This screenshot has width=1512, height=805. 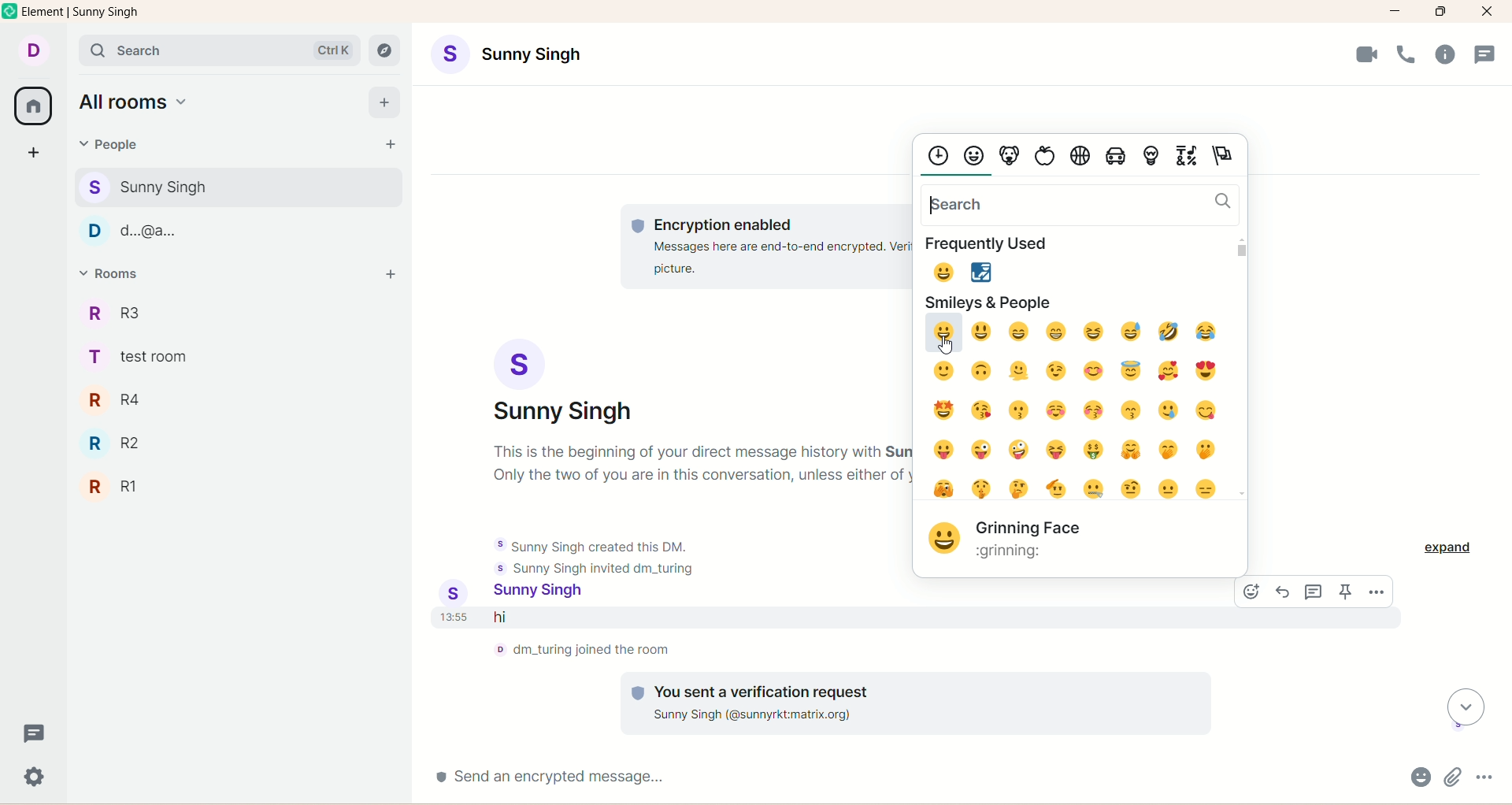 What do you see at coordinates (973, 157) in the screenshot?
I see `Smileys and Nature` at bounding box center [973, 157].